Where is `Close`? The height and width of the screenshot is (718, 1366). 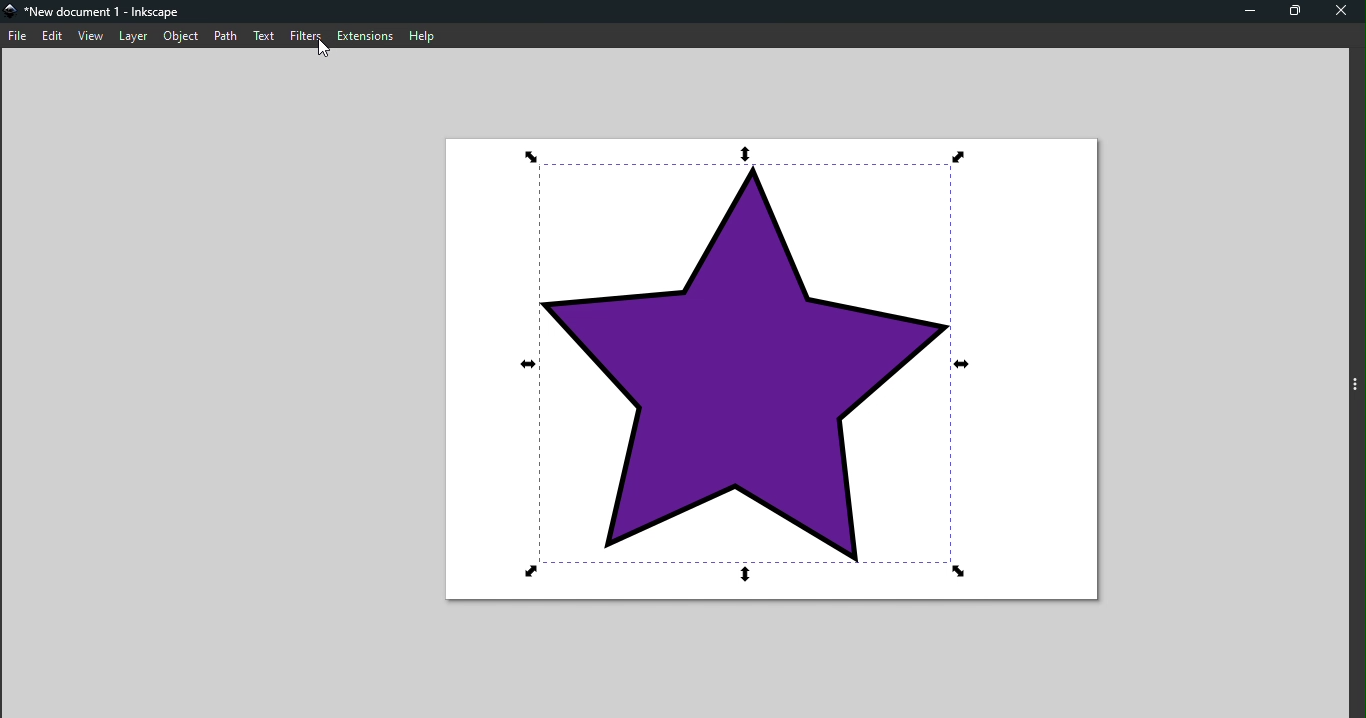
Close is located at coordinates (1345, 11).